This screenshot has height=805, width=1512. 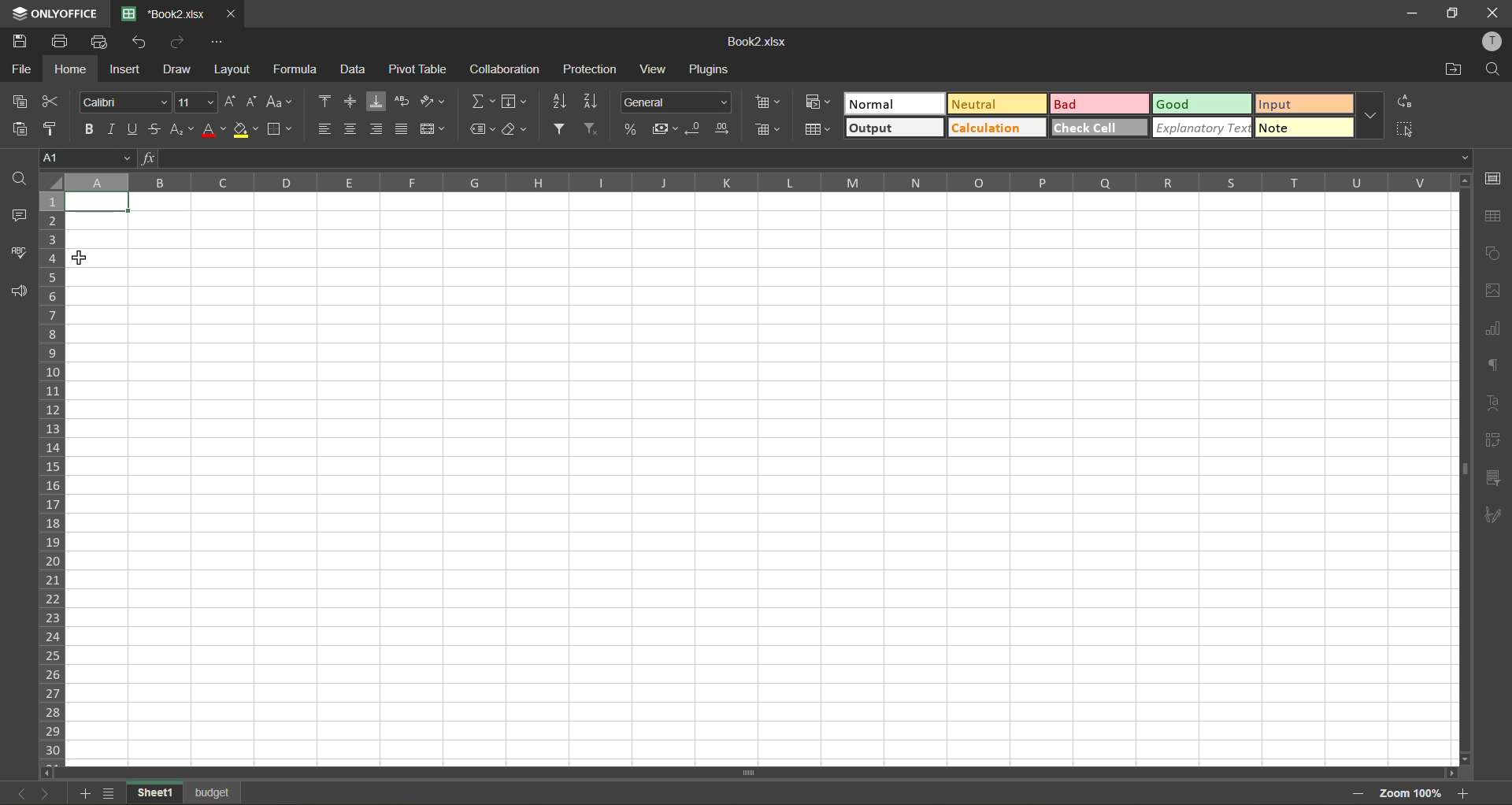 What do you see at coordinates (1370, 117) in the screenshot?
I see `more options` at bounding box center [1370, 117].